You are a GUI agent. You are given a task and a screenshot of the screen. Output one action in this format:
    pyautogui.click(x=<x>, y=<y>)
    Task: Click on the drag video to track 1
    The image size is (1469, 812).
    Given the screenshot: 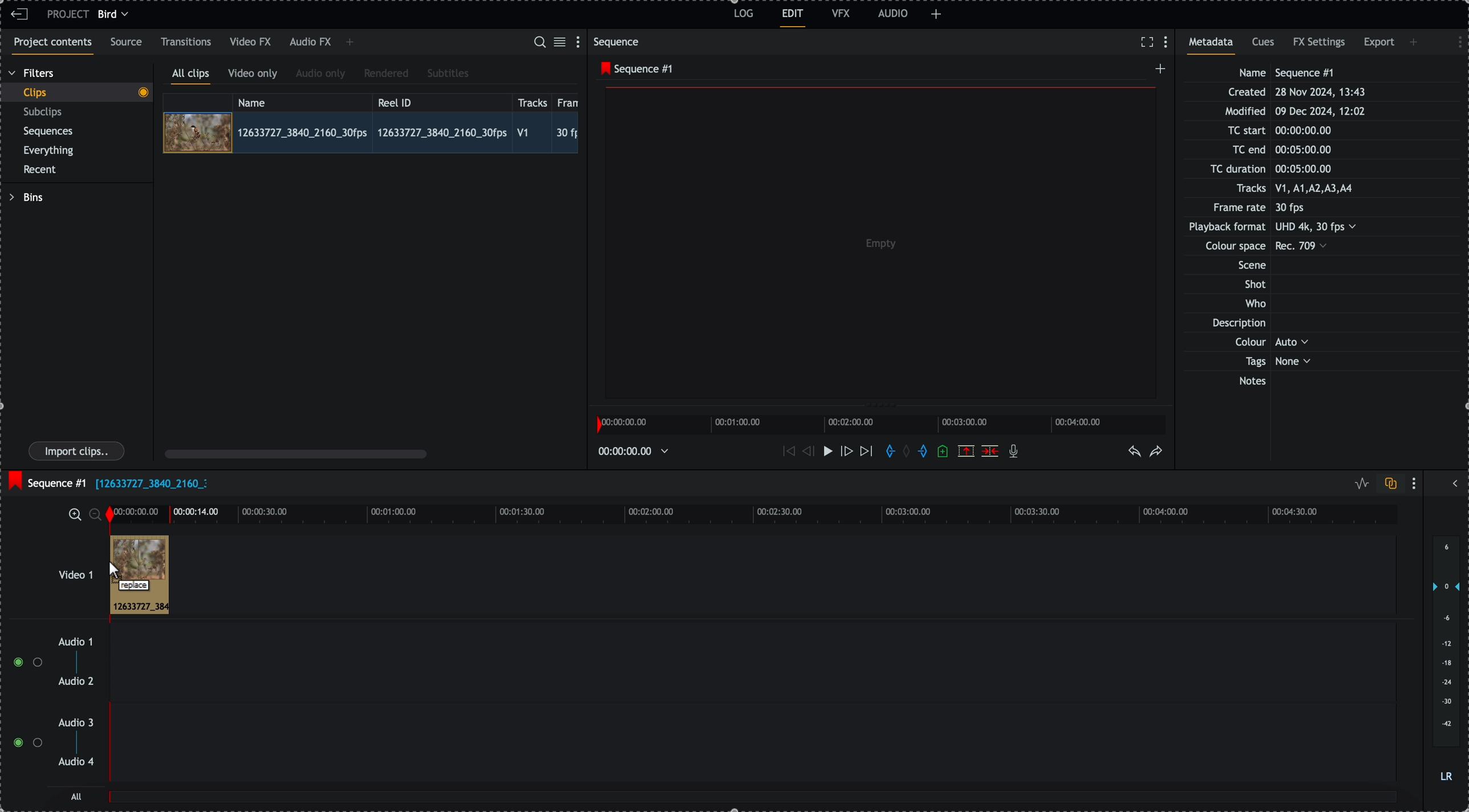 What is the action you would take?
    pyautogui.click(x=137, y=576)
    